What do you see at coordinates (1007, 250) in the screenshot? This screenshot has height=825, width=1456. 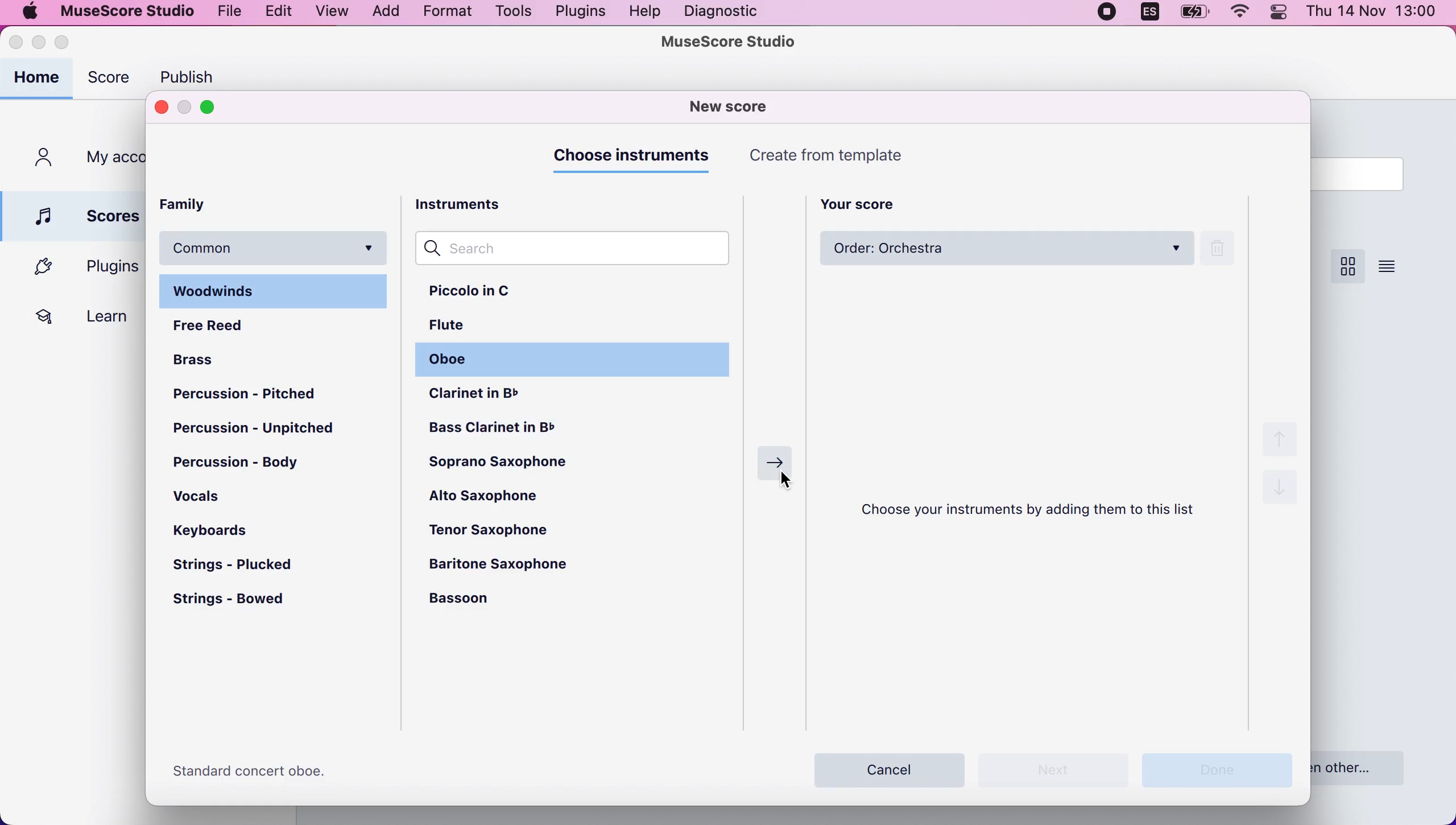 I see `order:orchestra` at bounding box center [1007, 250].